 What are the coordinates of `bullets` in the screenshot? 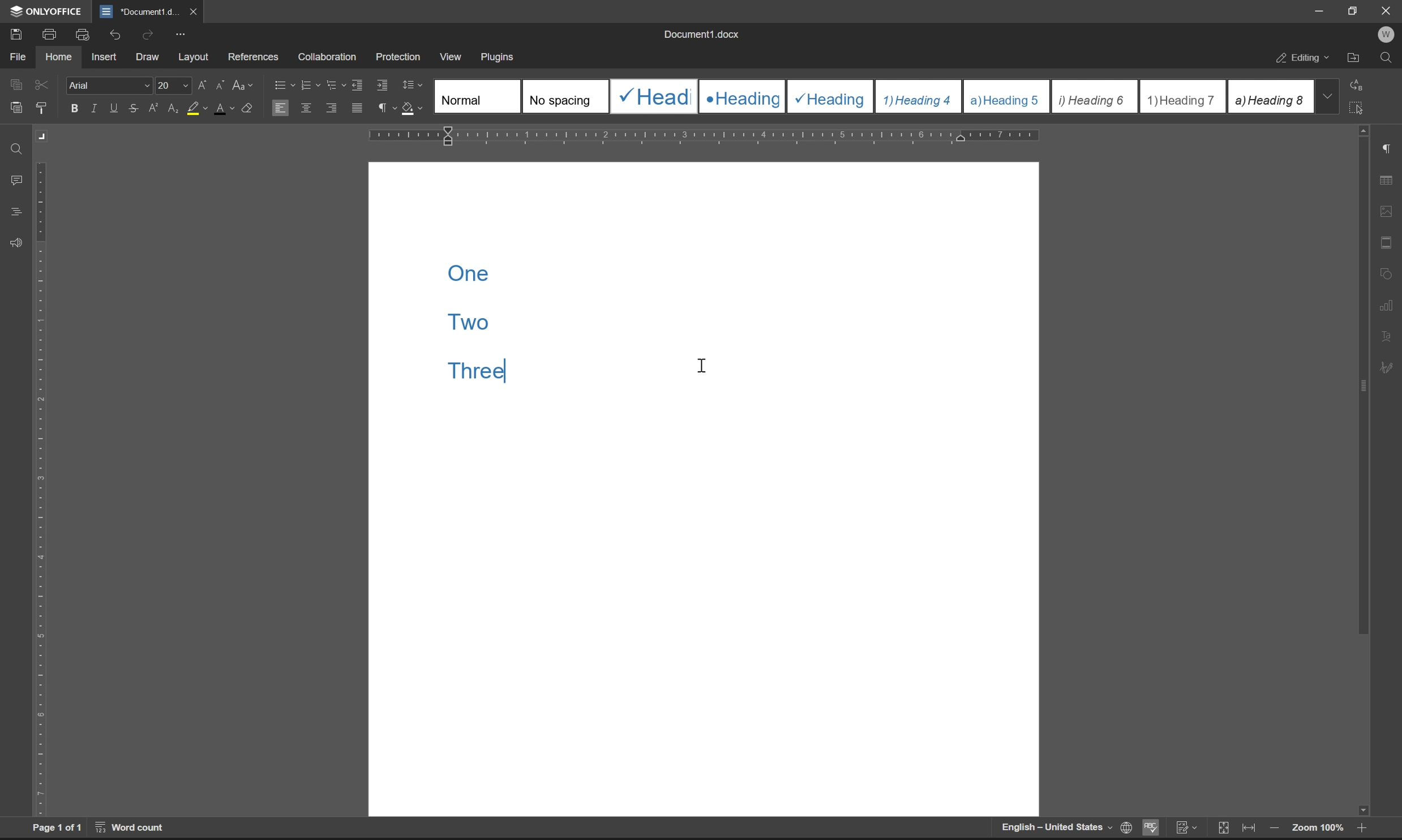 It's located at (282, 84).